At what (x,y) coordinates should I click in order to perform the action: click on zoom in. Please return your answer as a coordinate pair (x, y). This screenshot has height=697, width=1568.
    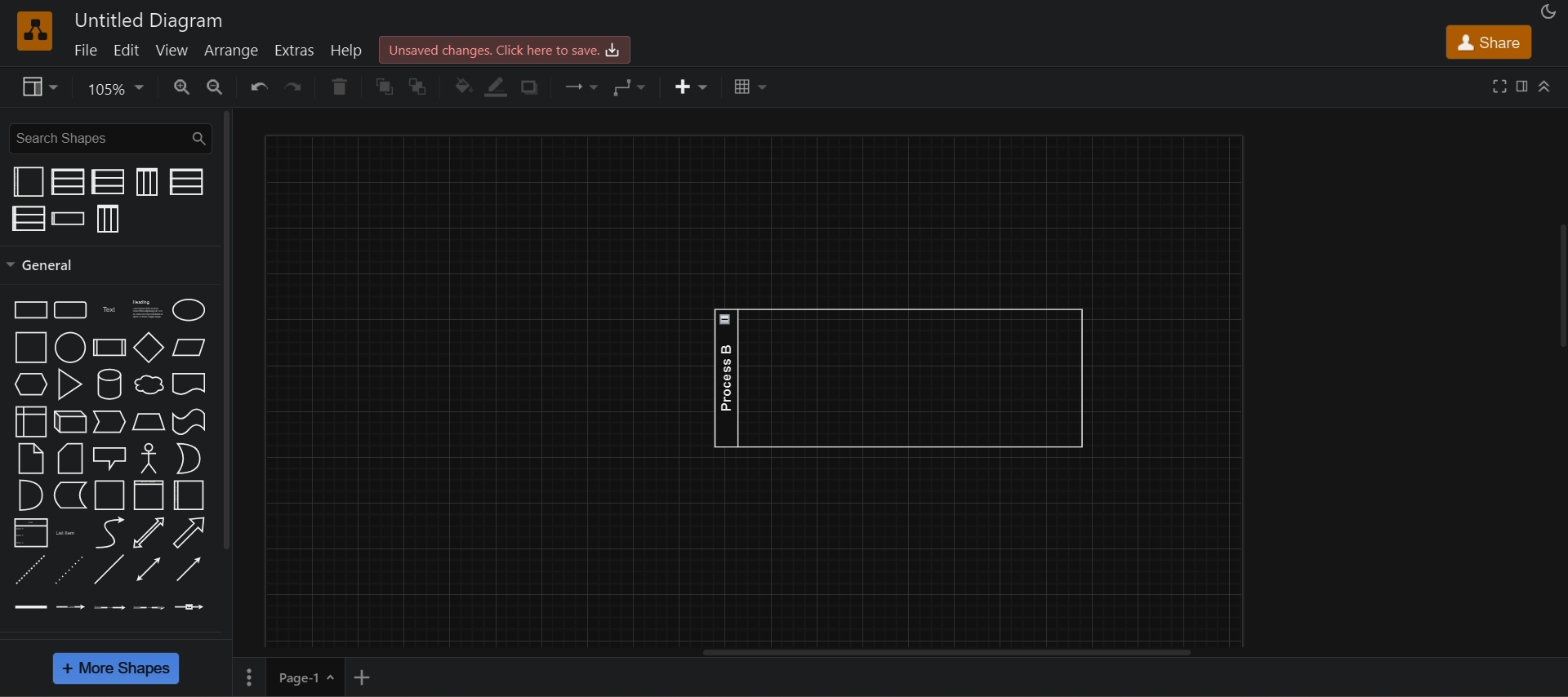
    Looking at the image, I should click on (182, 86).